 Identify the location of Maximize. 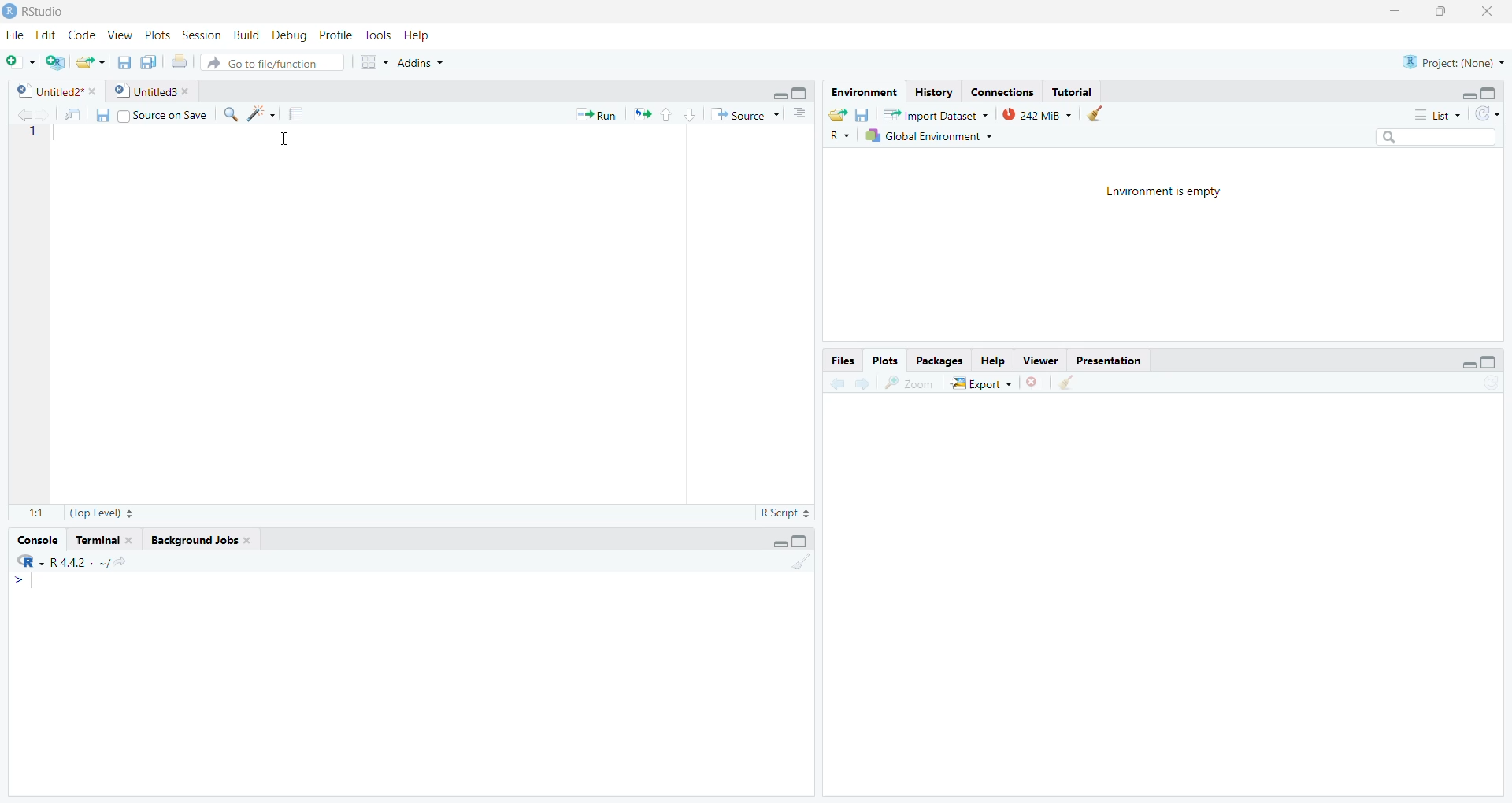
(1444, 11).